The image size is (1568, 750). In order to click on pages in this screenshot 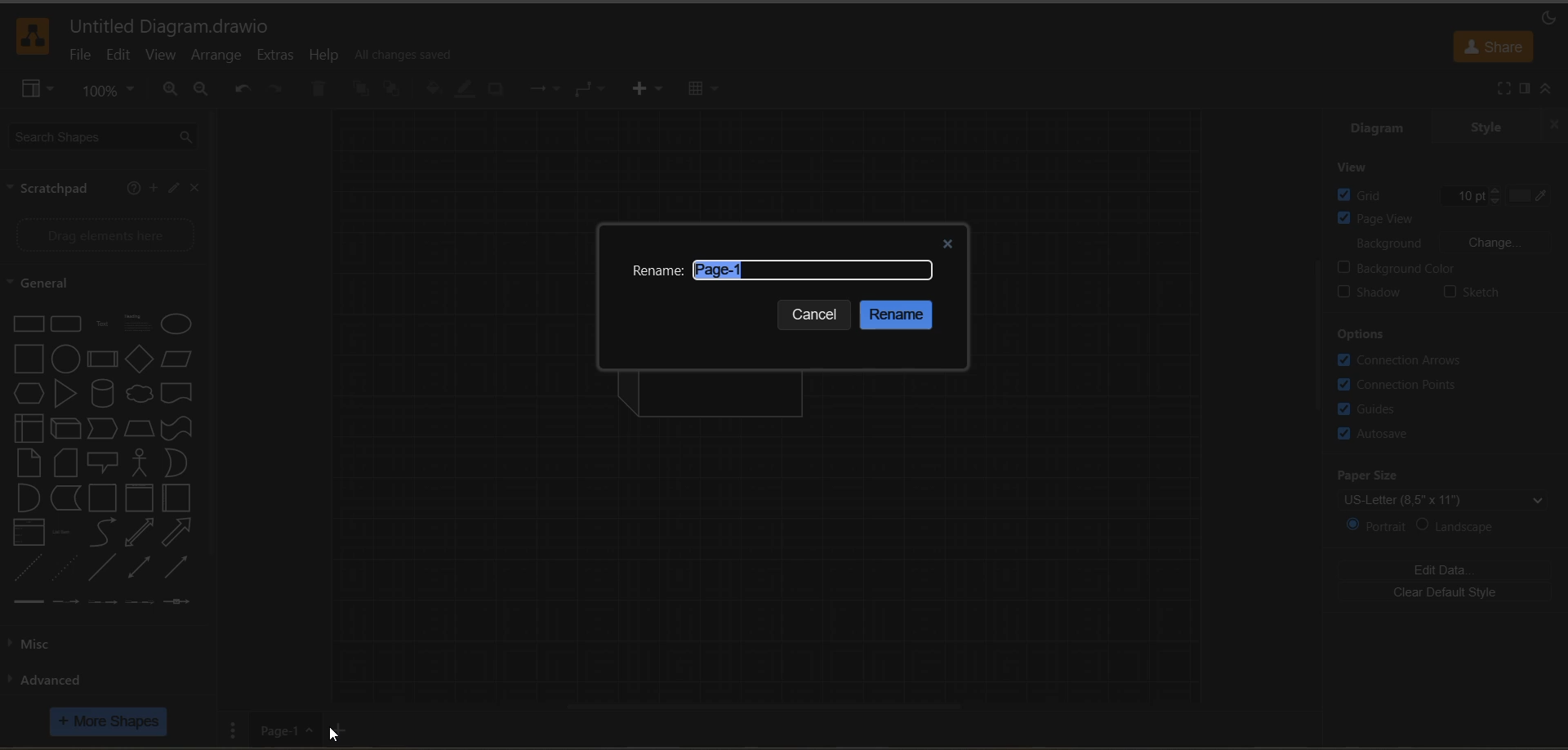, I will do `click(238, 730)`.